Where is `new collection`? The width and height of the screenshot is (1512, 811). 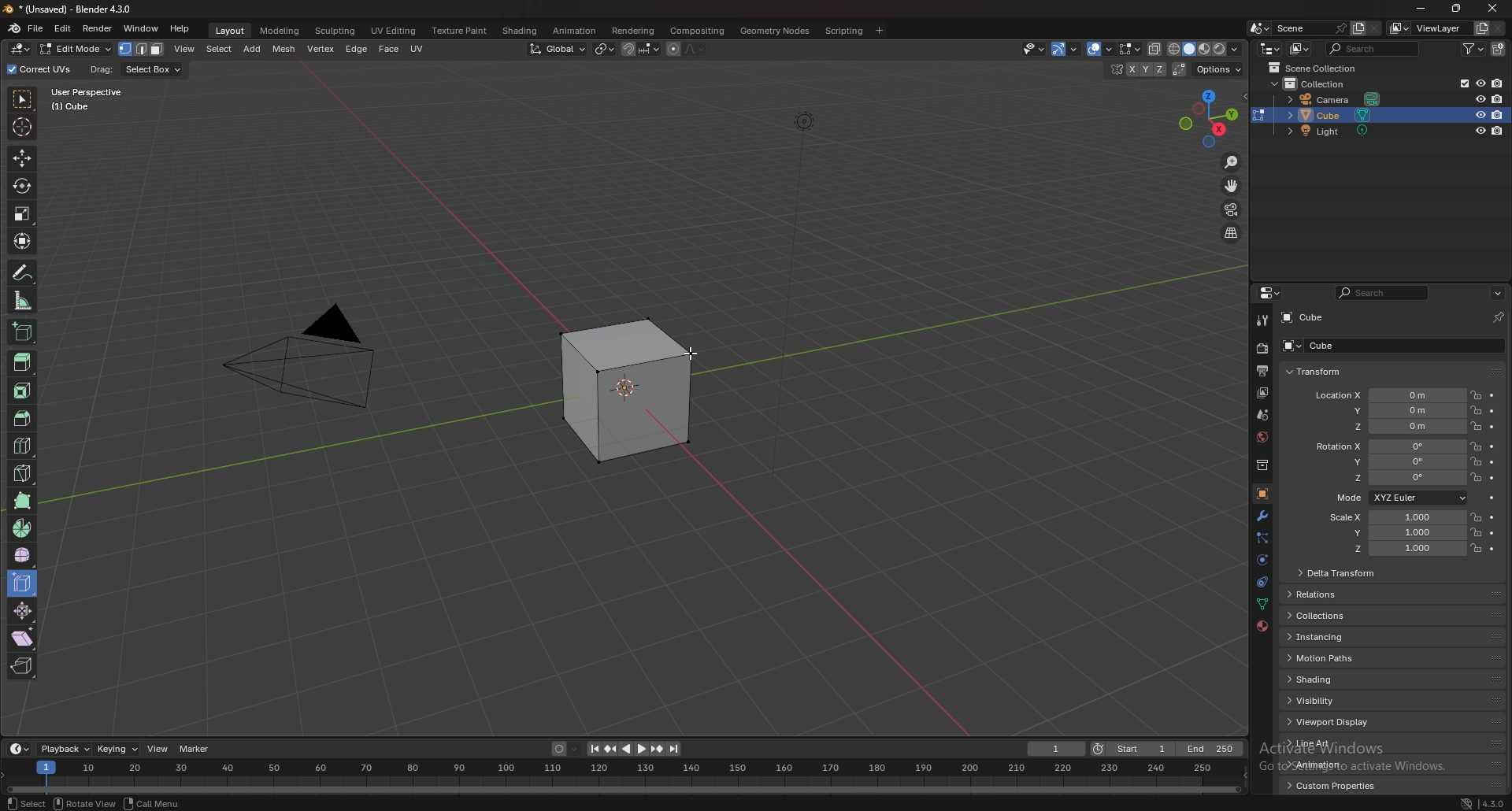
new collection is located at coordinates (1499, 49).